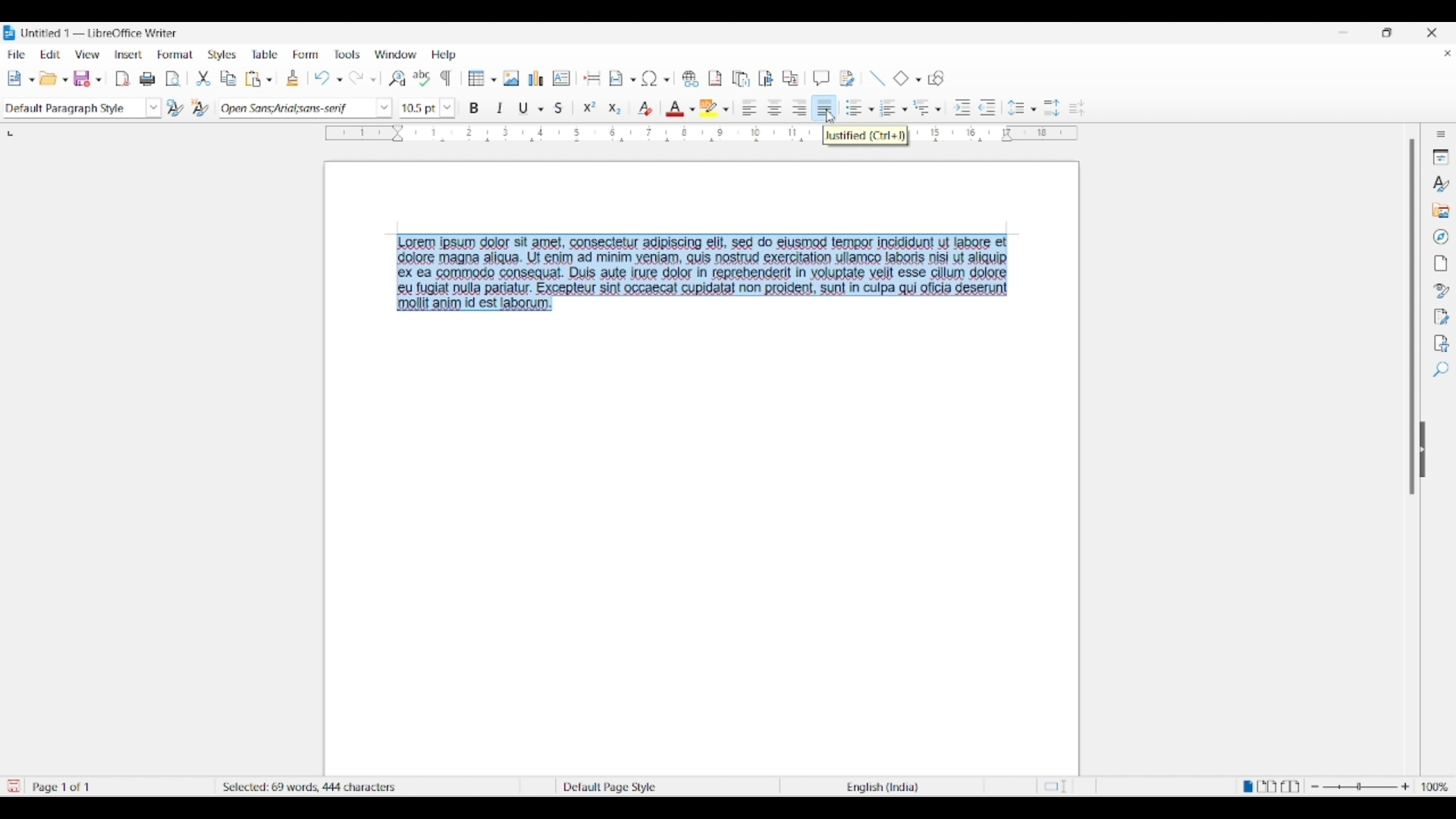 This screenshot has height=819, width=1456. What do you see at coordinates (649, 78) in the screenshot?
I see `Selected special character` at bounding box center [649, 78].